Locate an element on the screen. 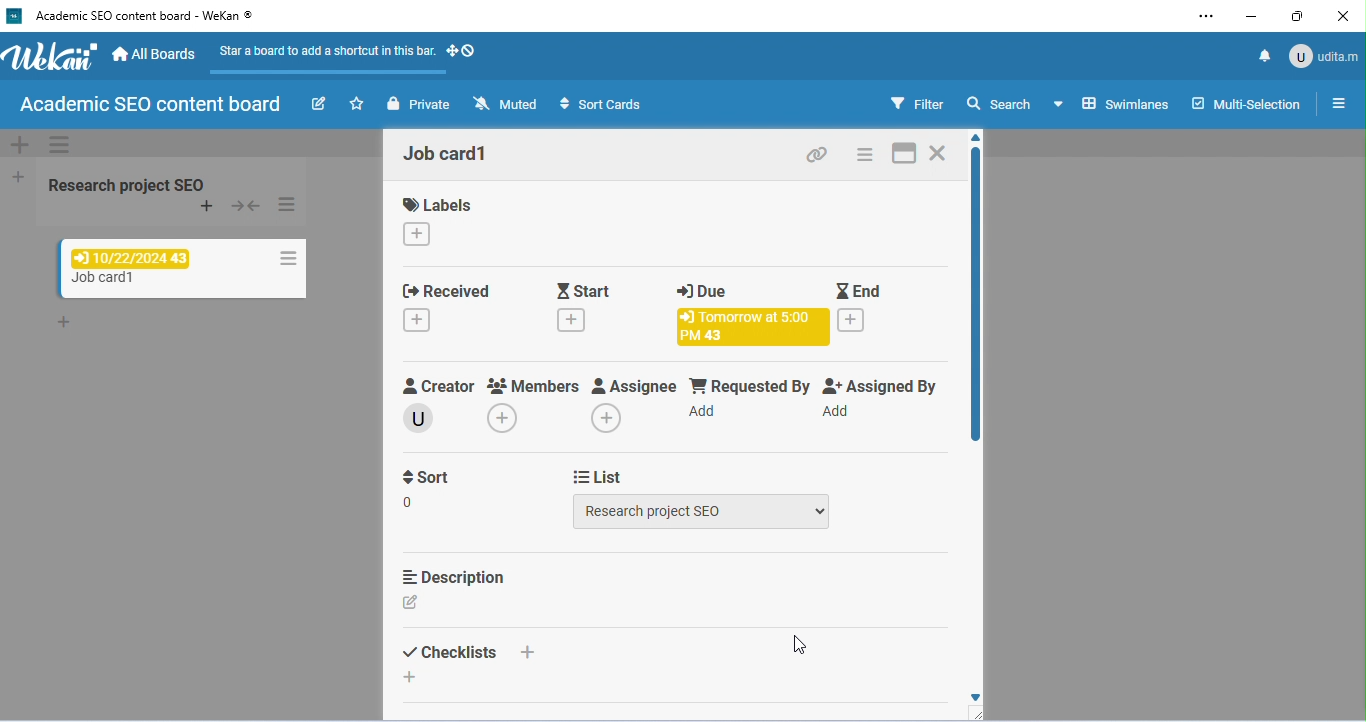 The height and width of the screenshot is (722, 1366). close is located at coordinates (1342, 17).